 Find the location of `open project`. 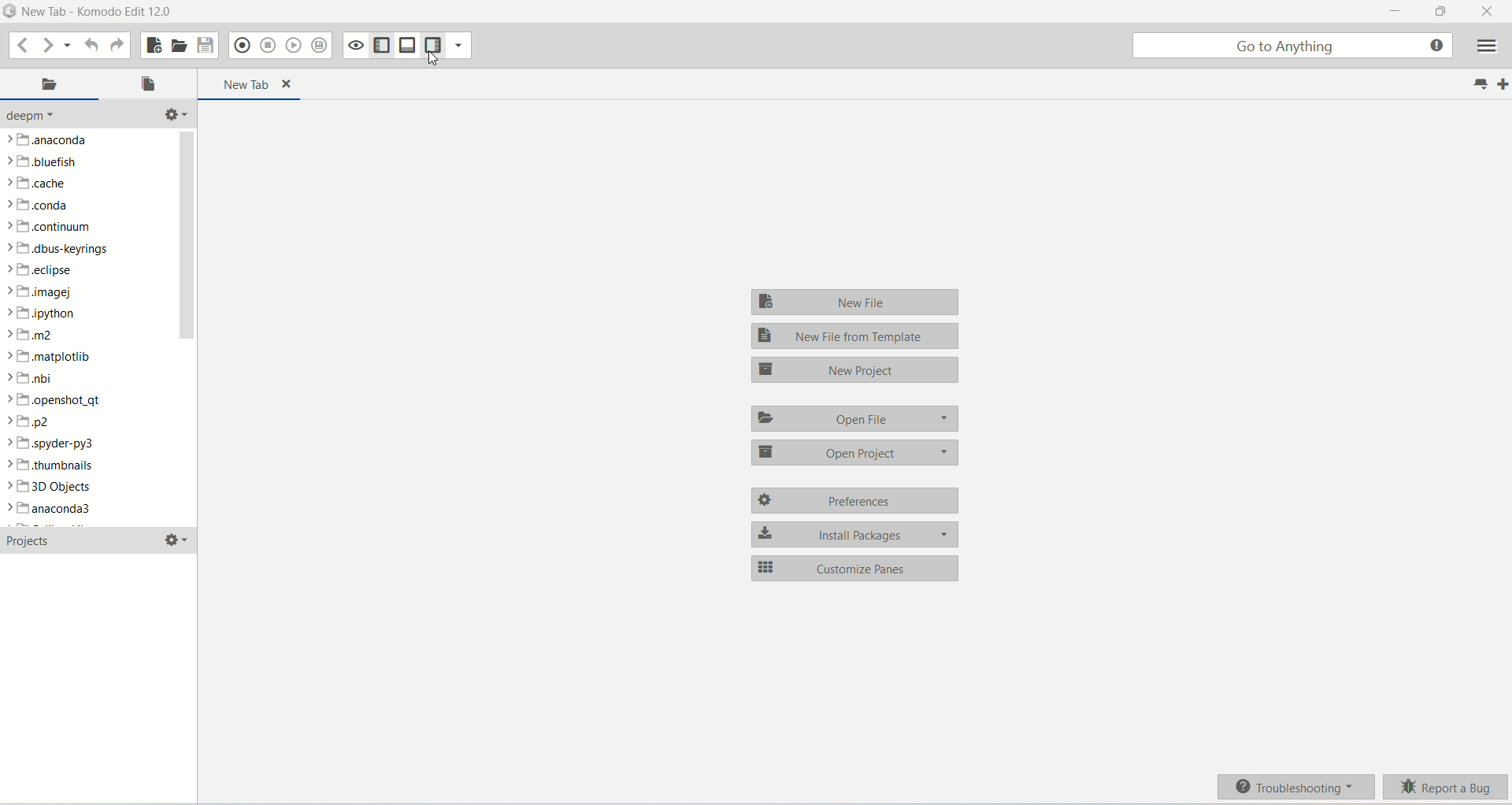

open project is located at coordinates (854, 454).